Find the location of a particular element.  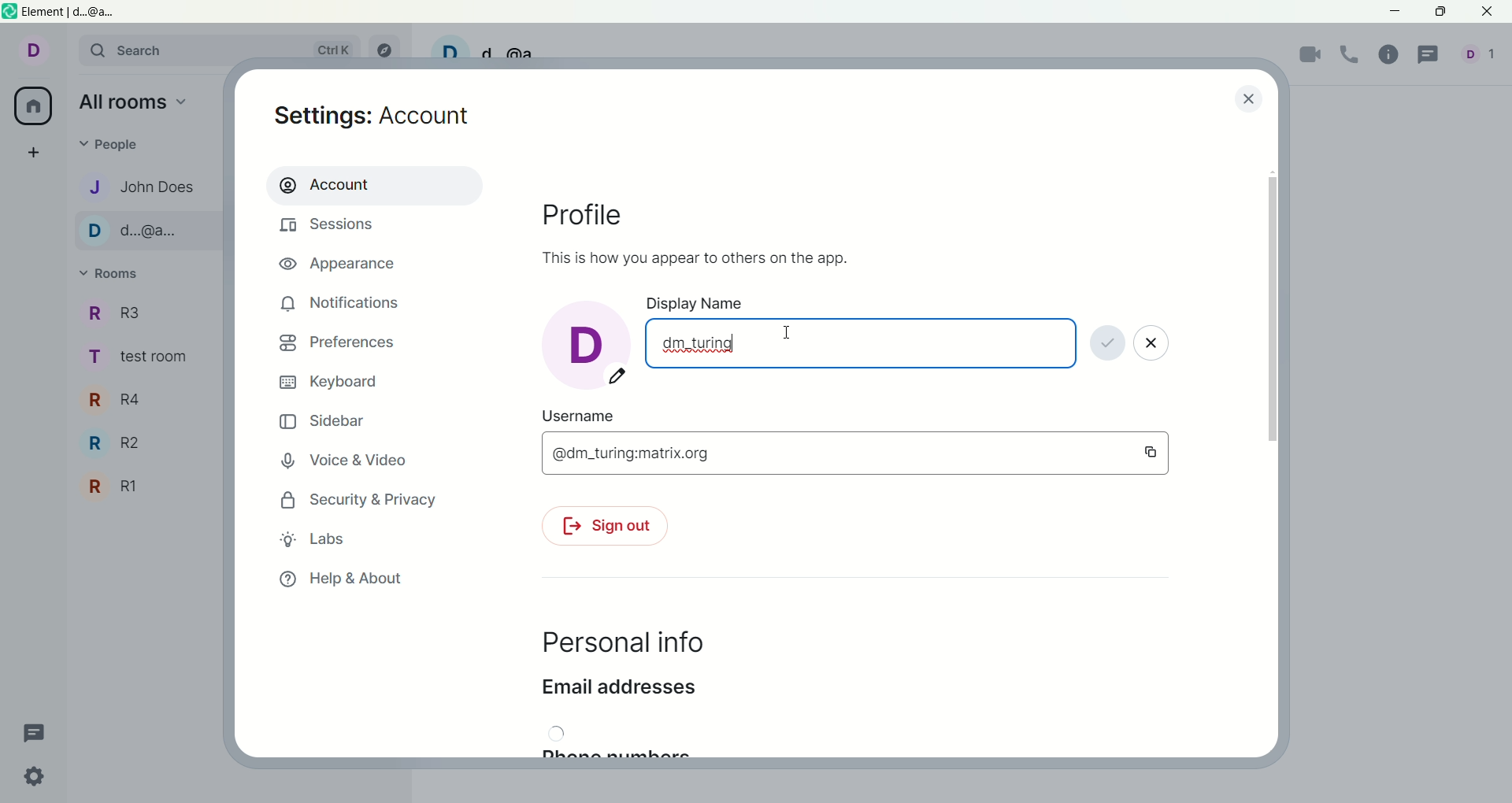

quick settings is located at coordinates (37, 780).